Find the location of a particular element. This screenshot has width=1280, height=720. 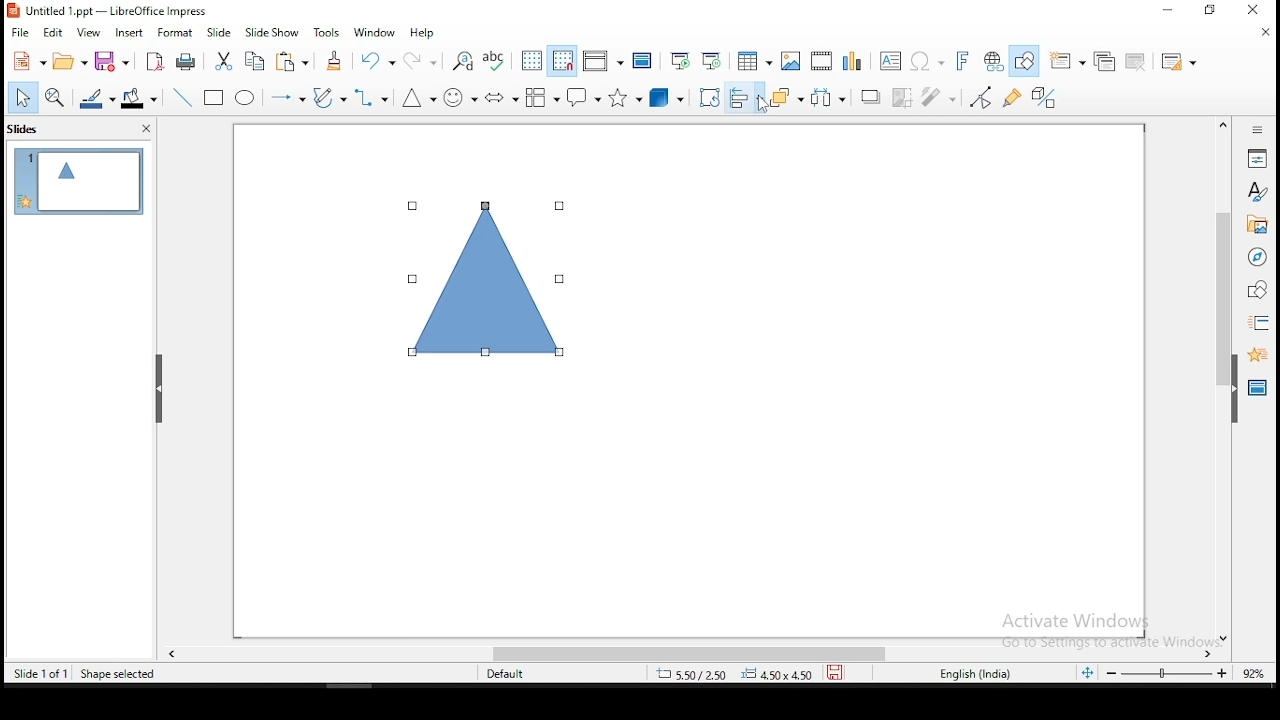

sidebar settings is located at coordinates (1258, 131).